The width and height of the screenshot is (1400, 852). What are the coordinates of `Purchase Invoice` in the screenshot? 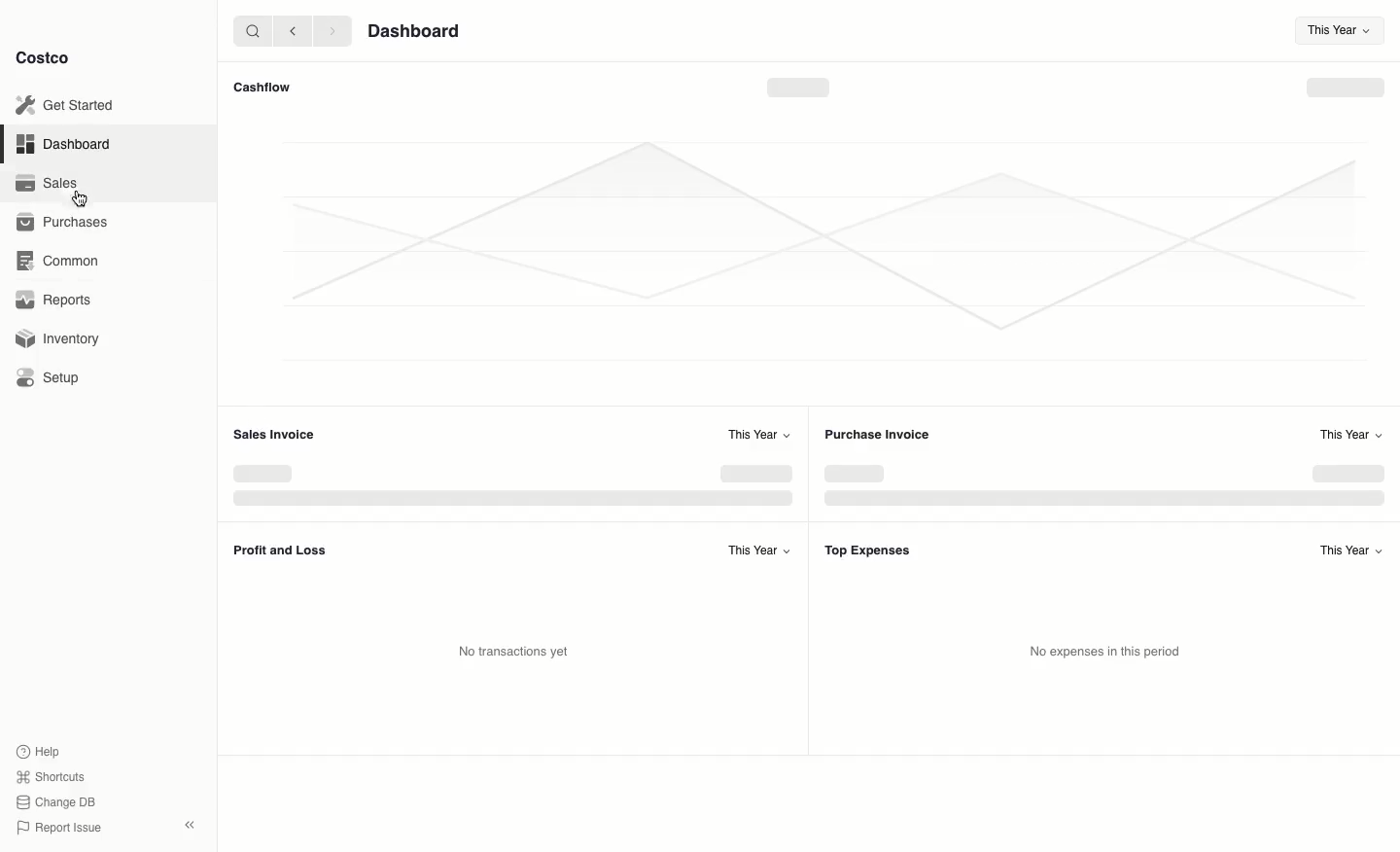 It's located at (877, 434).